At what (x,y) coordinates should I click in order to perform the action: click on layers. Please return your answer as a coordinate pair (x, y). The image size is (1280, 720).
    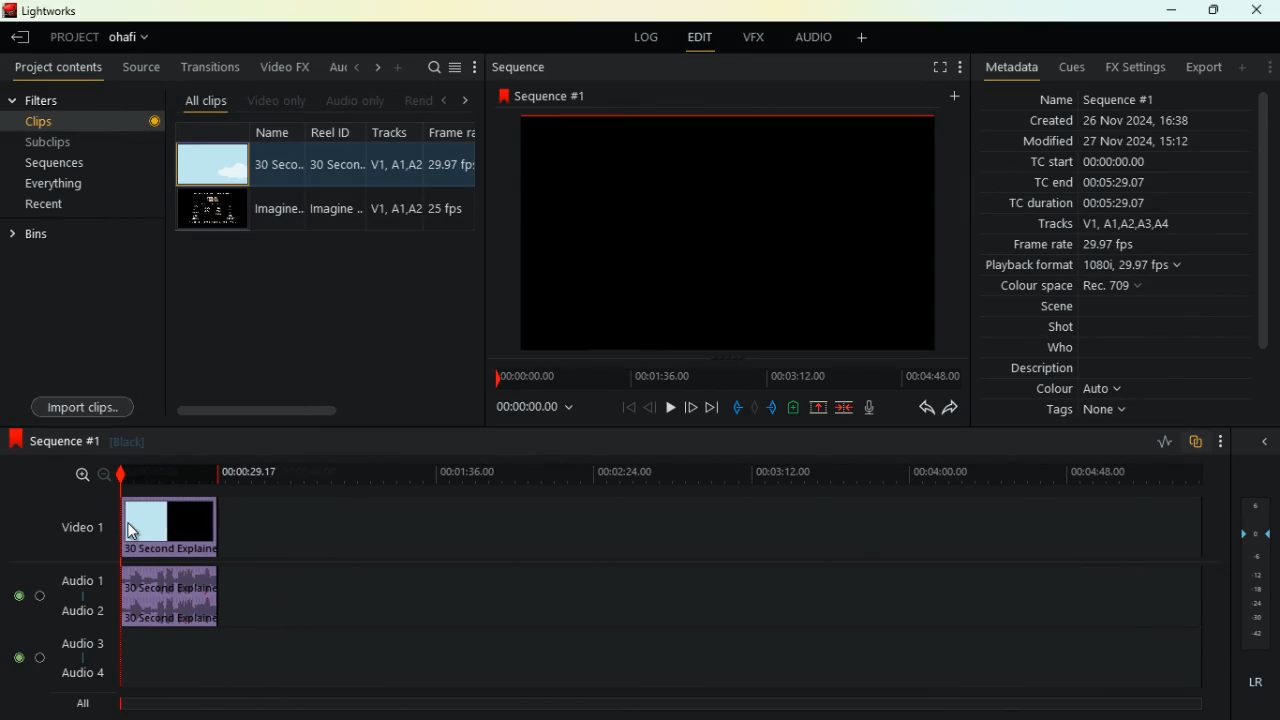
    Looking at the image, I should click on (1256, 573).